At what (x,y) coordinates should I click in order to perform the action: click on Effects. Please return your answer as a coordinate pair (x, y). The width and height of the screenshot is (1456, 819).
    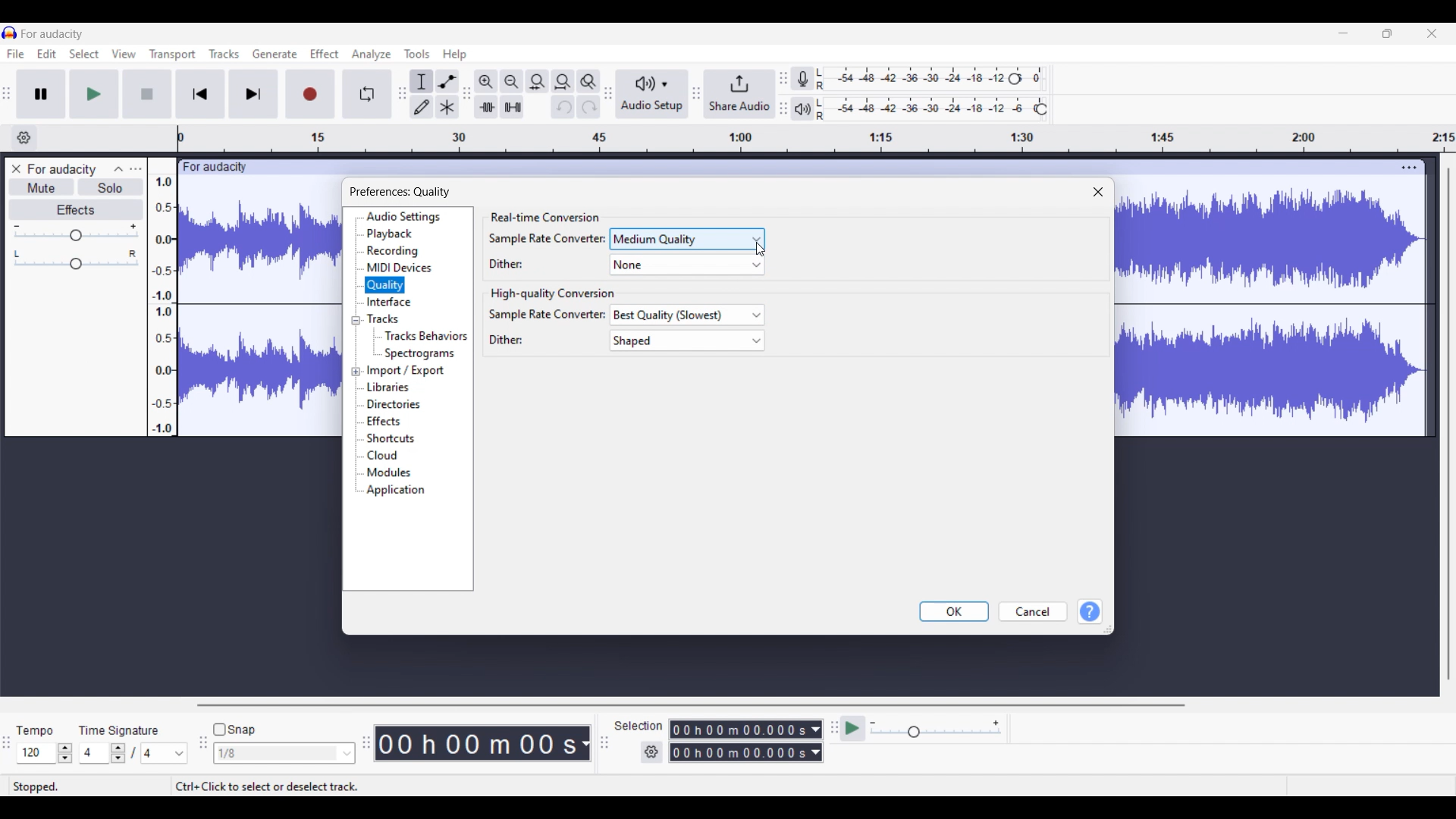
    Looking at the image, I should click on (384, 421).